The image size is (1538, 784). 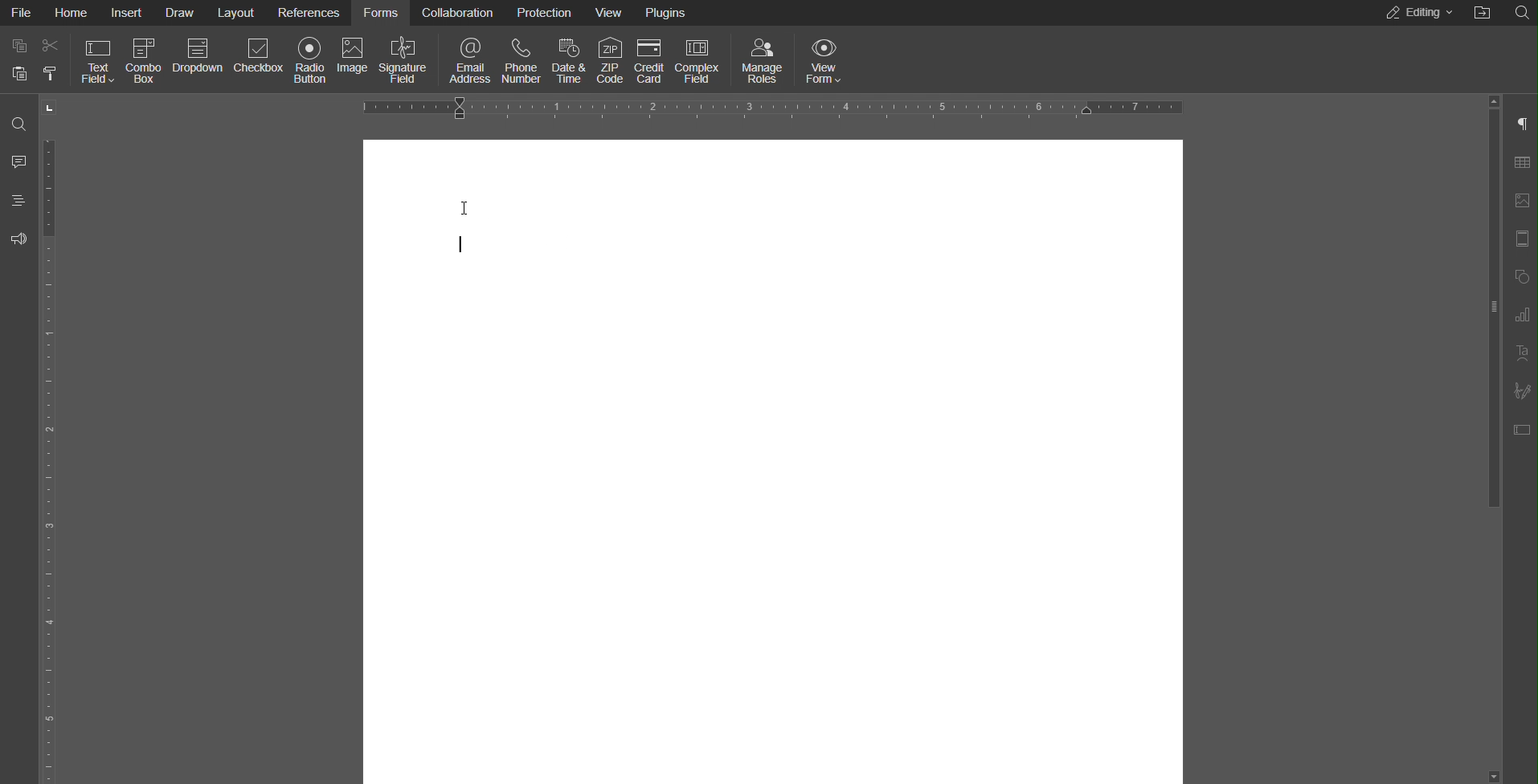 What do you see at coordinates (648, 58) in the screenshot?
I see `Credit Card` at bounding box center [648, 58].